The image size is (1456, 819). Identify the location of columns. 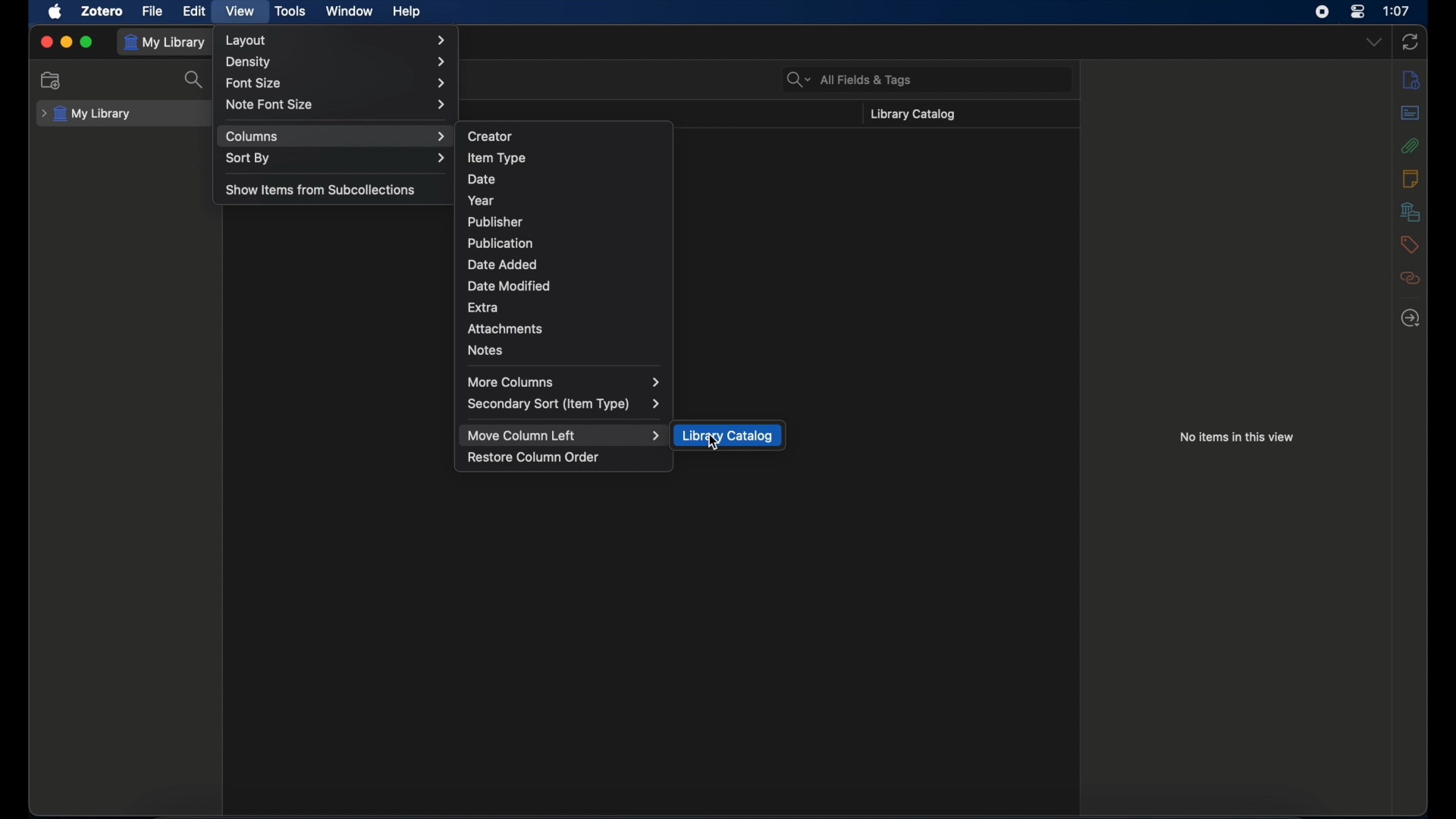
(336, 137).